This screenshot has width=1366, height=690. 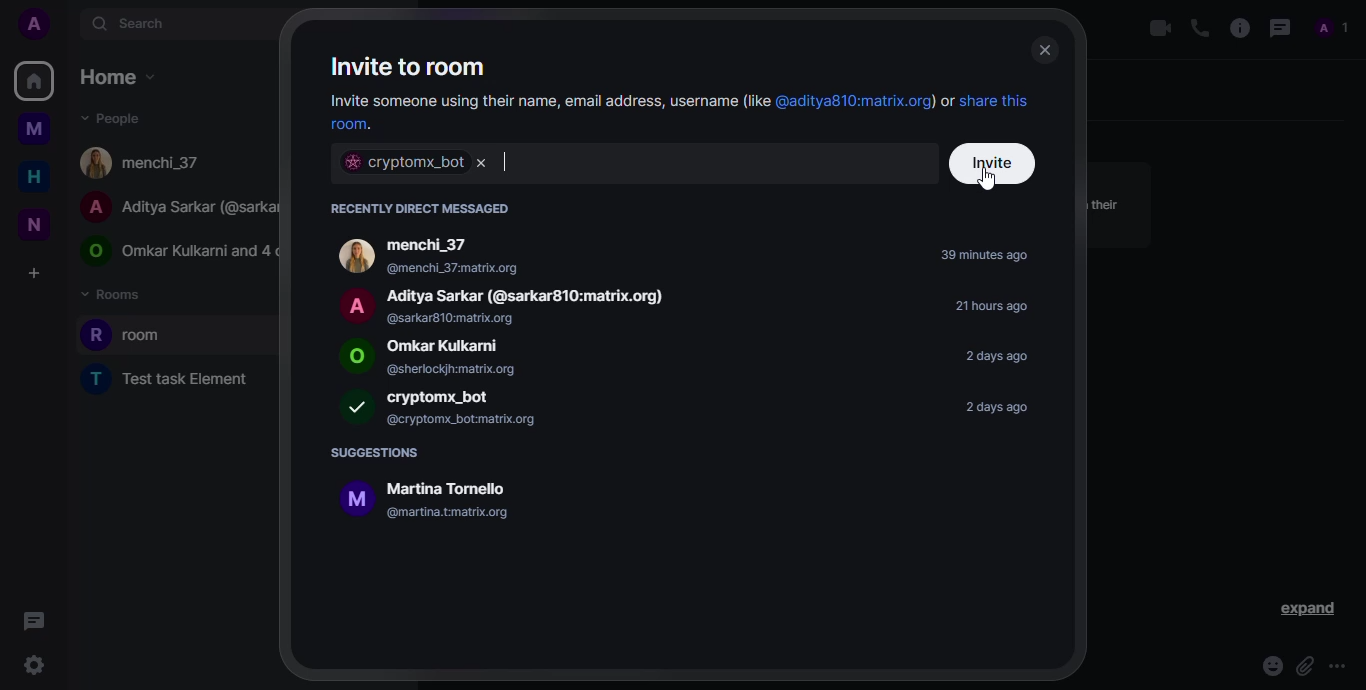 I want to click on @sarkar810:matrix.org, so click(x=459, y=318).